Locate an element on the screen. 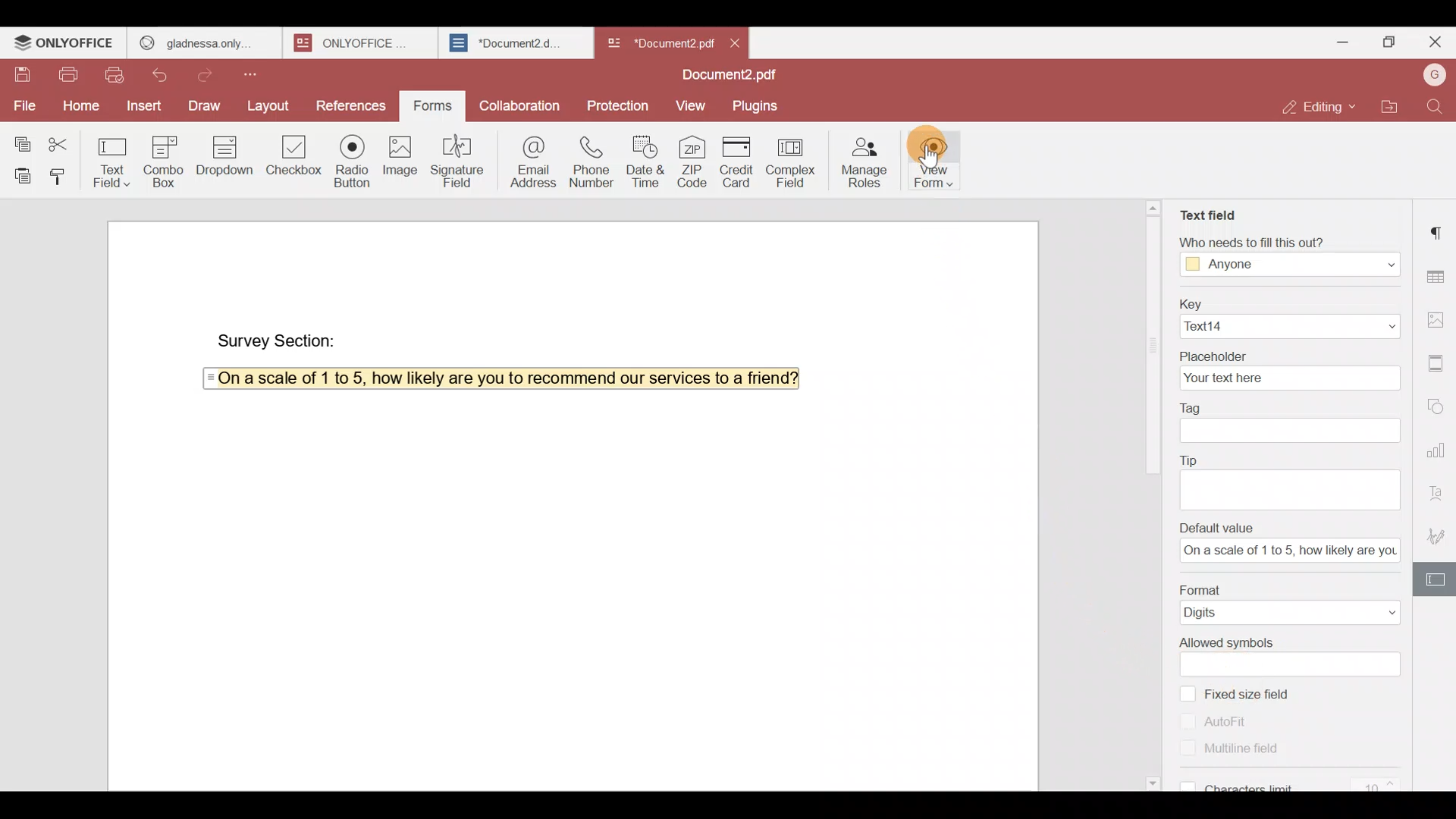 The height and width of the screenshot is (819, 1456). Copy is located at coordinates (22, 137).